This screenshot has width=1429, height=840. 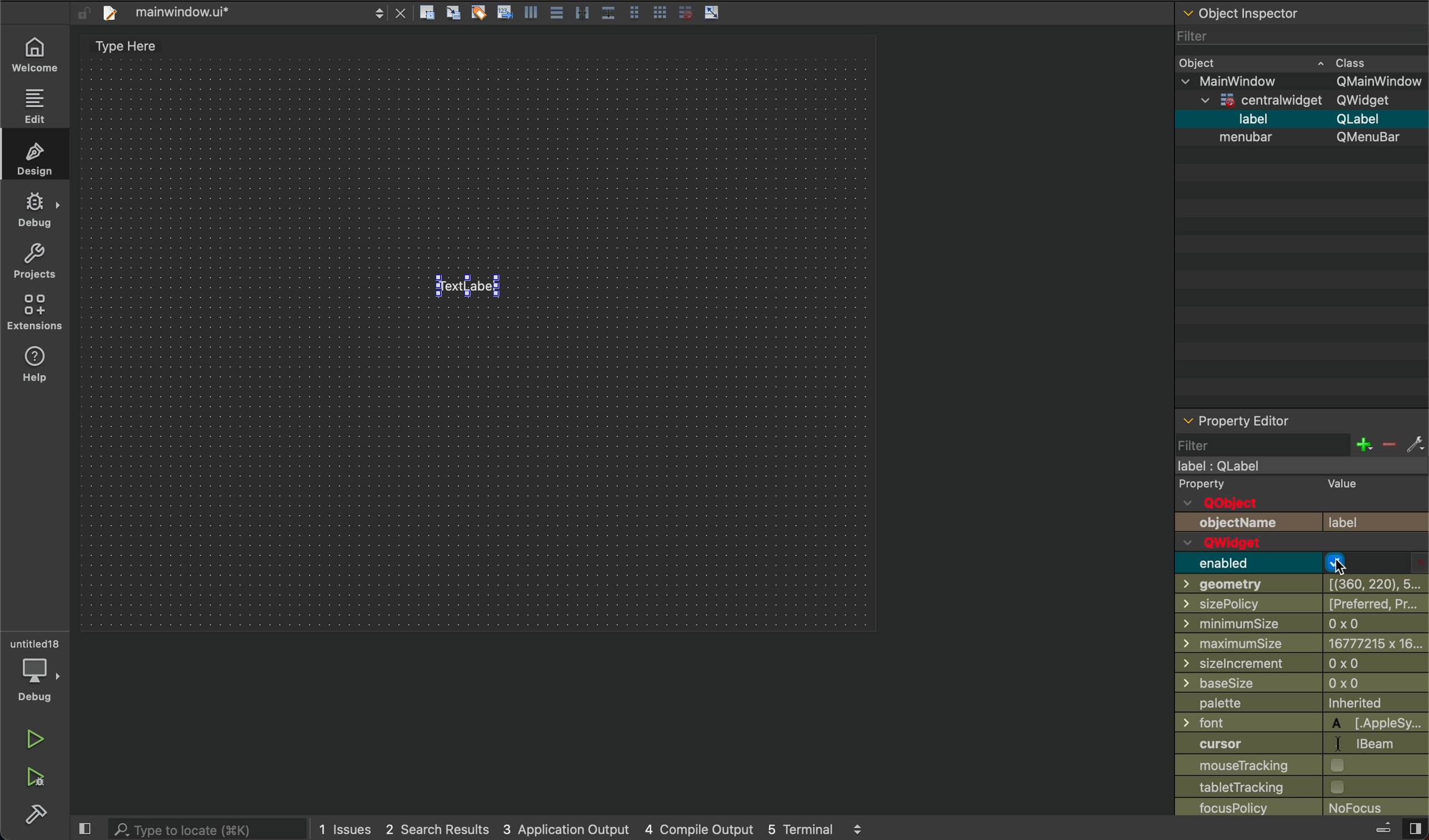 I want to click on Qwidget, so click(x=1369, y=100).